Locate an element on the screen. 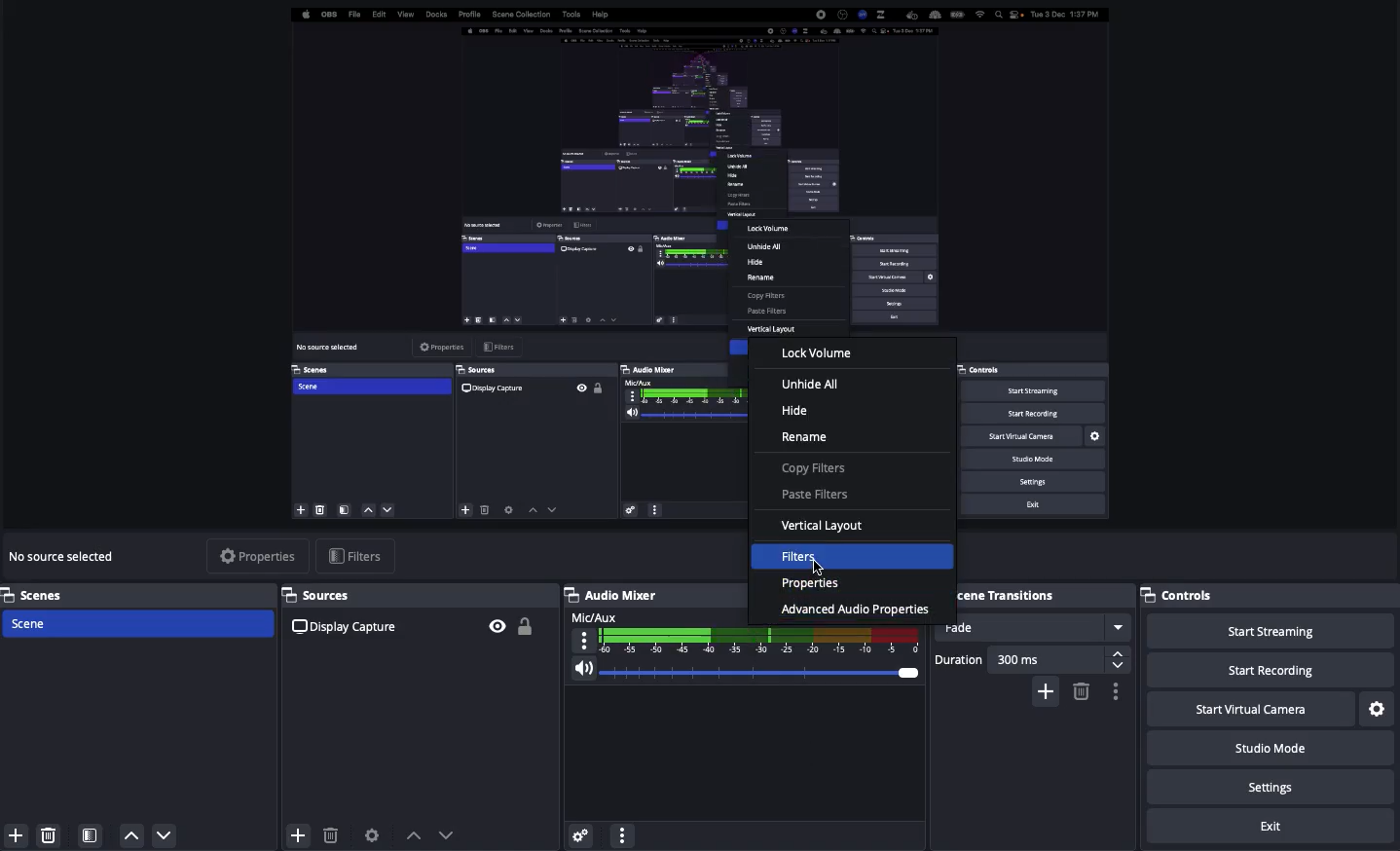 Image resolution: width=1400 pixels, height=851 pixels. Rename is located at coordinates (805, 437).